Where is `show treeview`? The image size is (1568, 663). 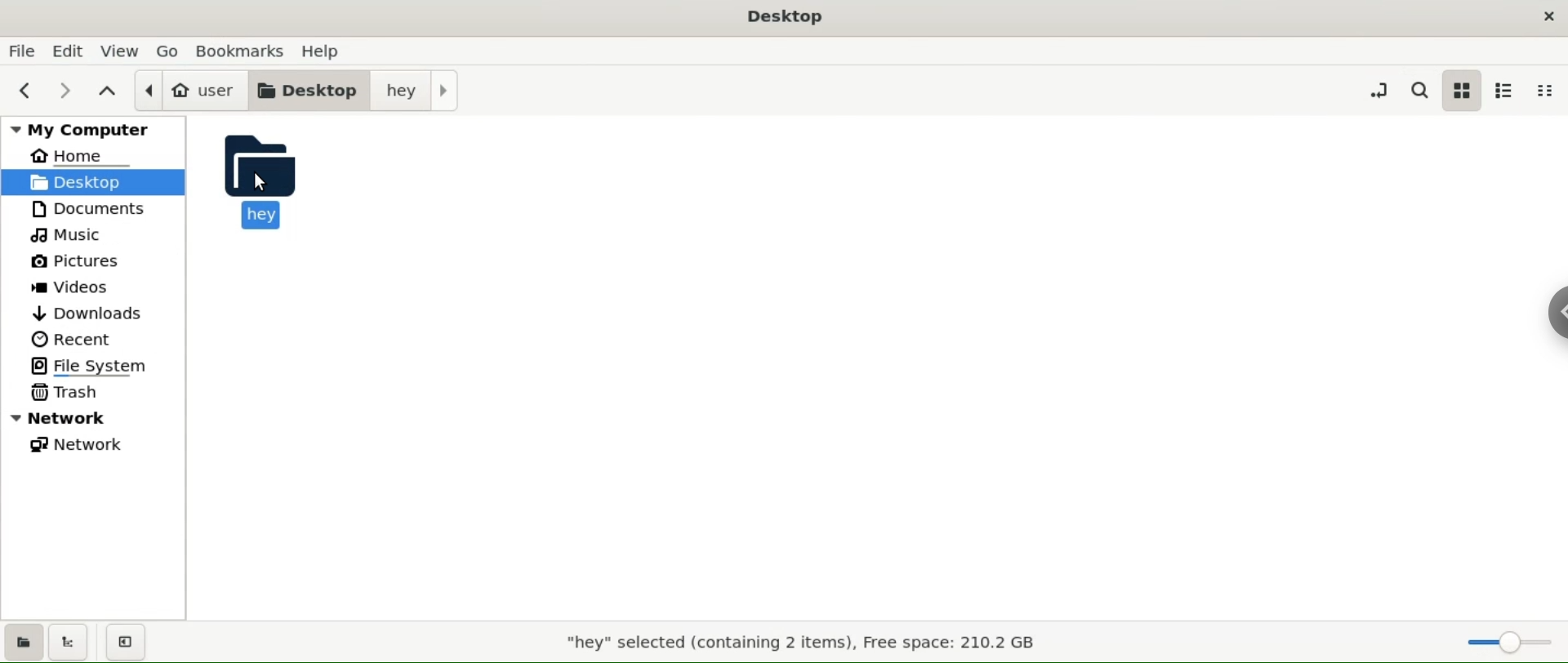 show treeview is located at coordinates (73, 645).